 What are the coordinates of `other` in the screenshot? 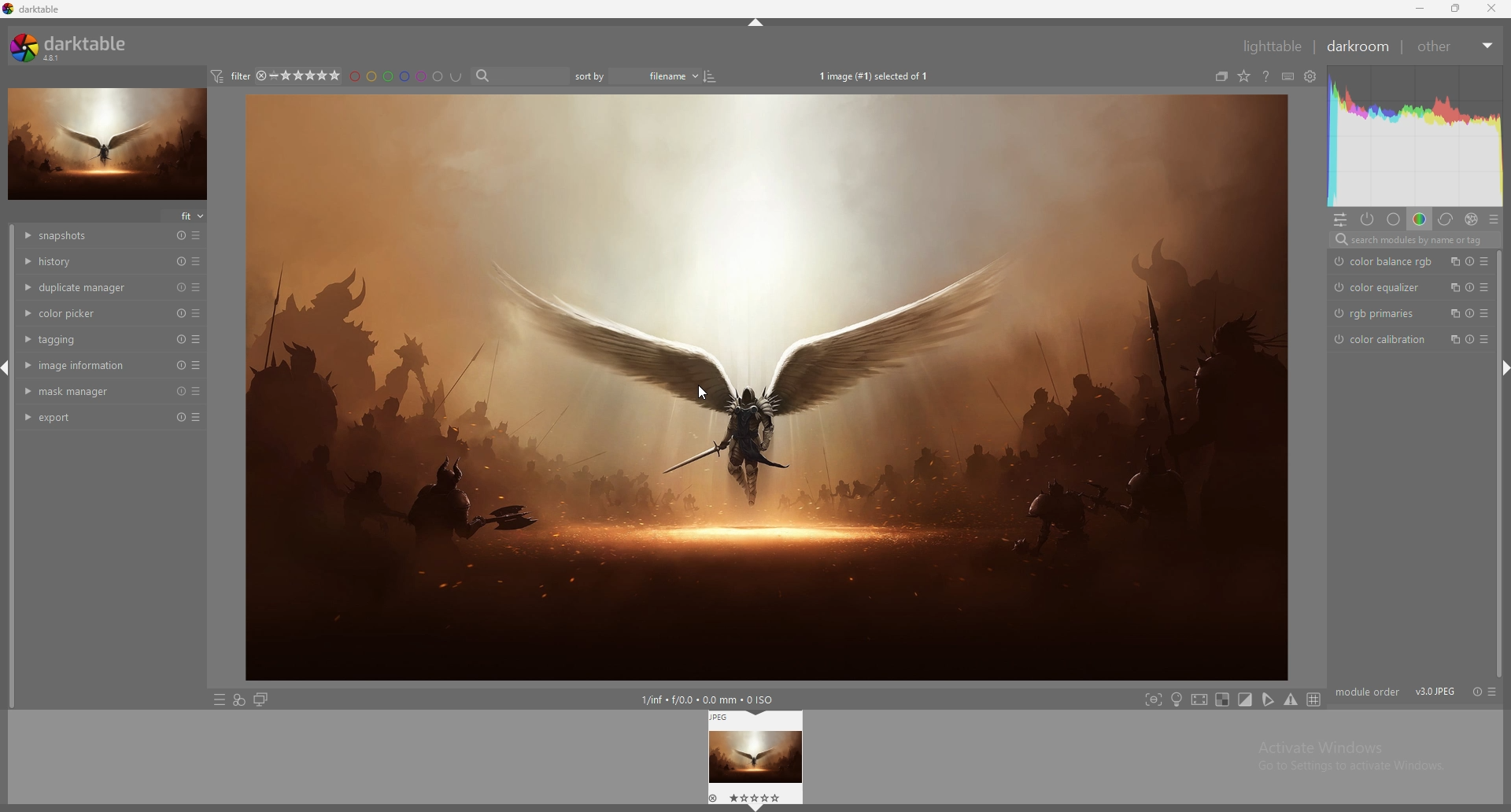 It's located at (1457, 46).